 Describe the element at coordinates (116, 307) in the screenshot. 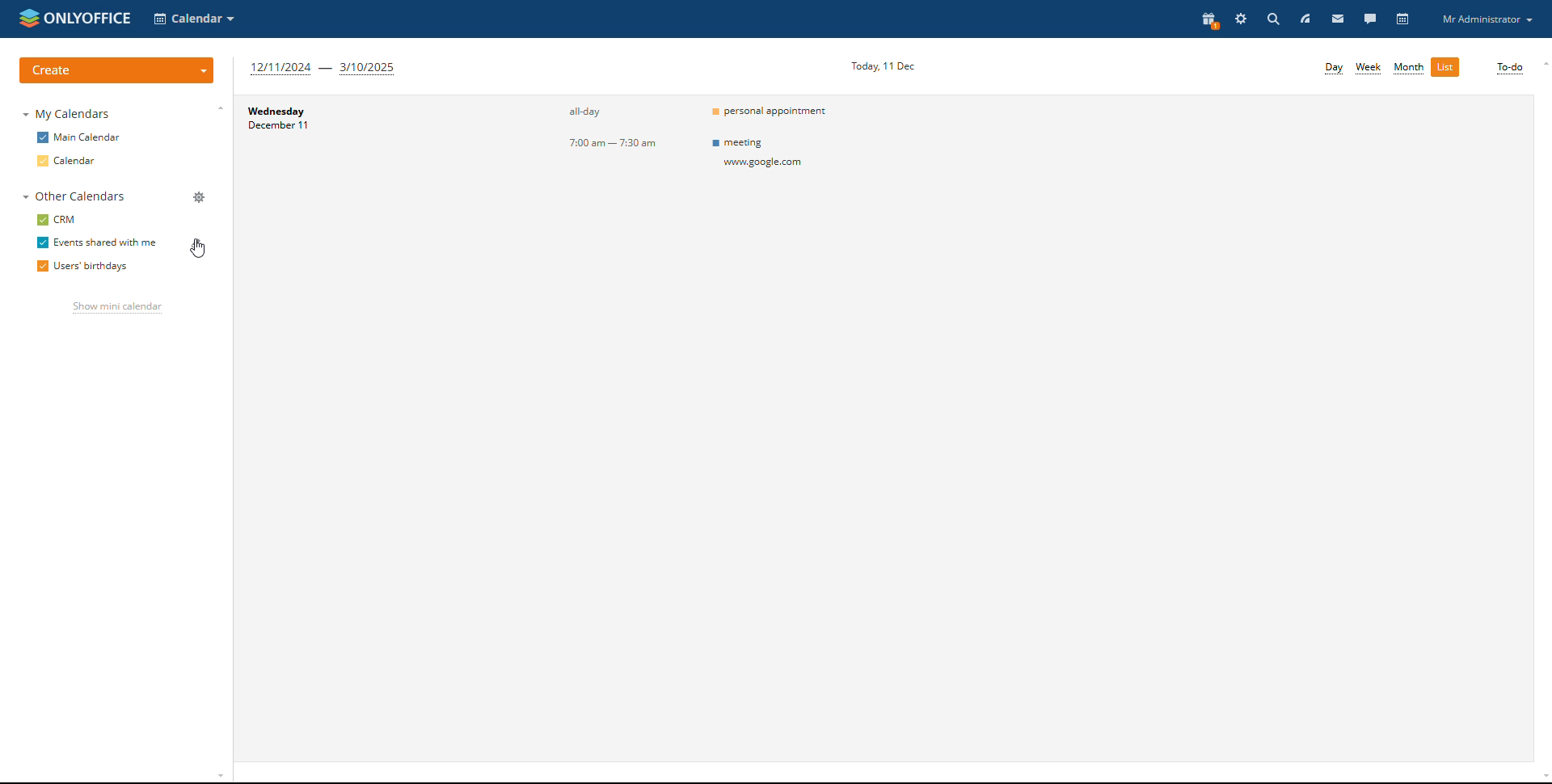

I see `show mini calendar` at that location.